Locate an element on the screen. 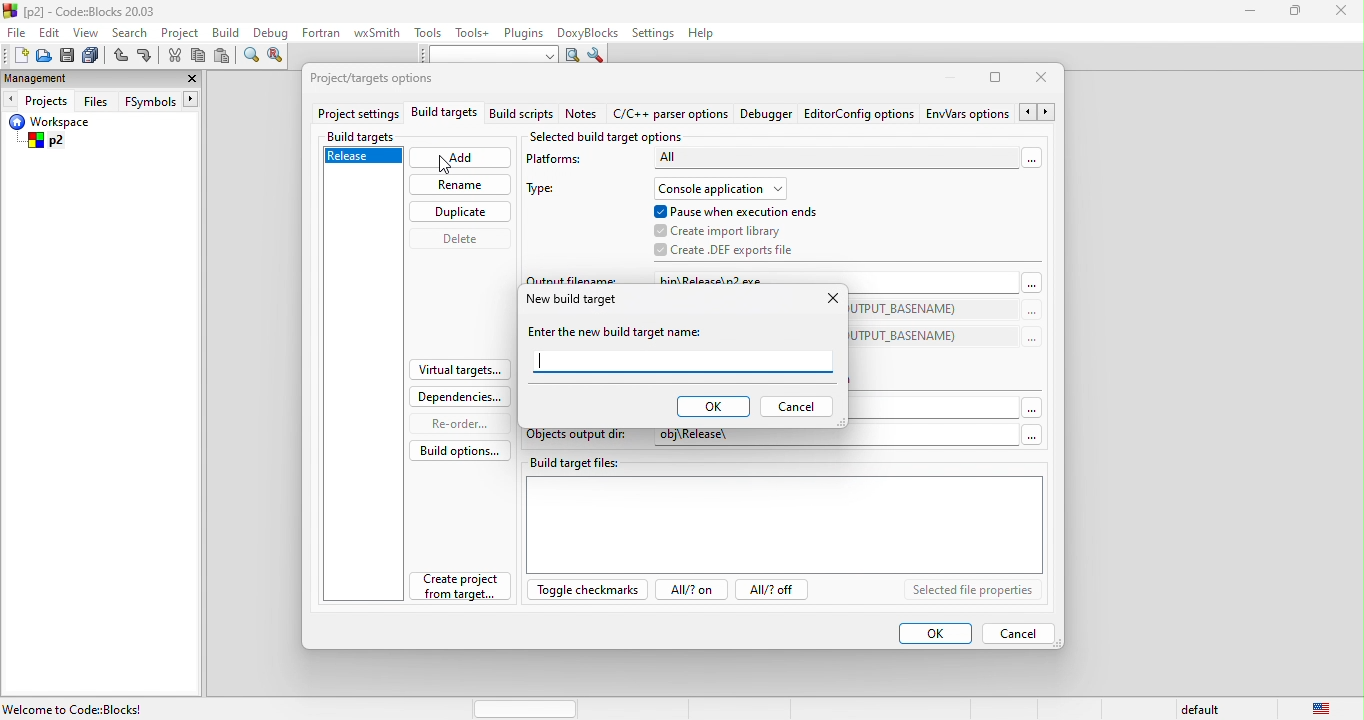 Image resolution: width=1364 pixels, height=720 pixels. new build target is located at coordinates (589, 299).